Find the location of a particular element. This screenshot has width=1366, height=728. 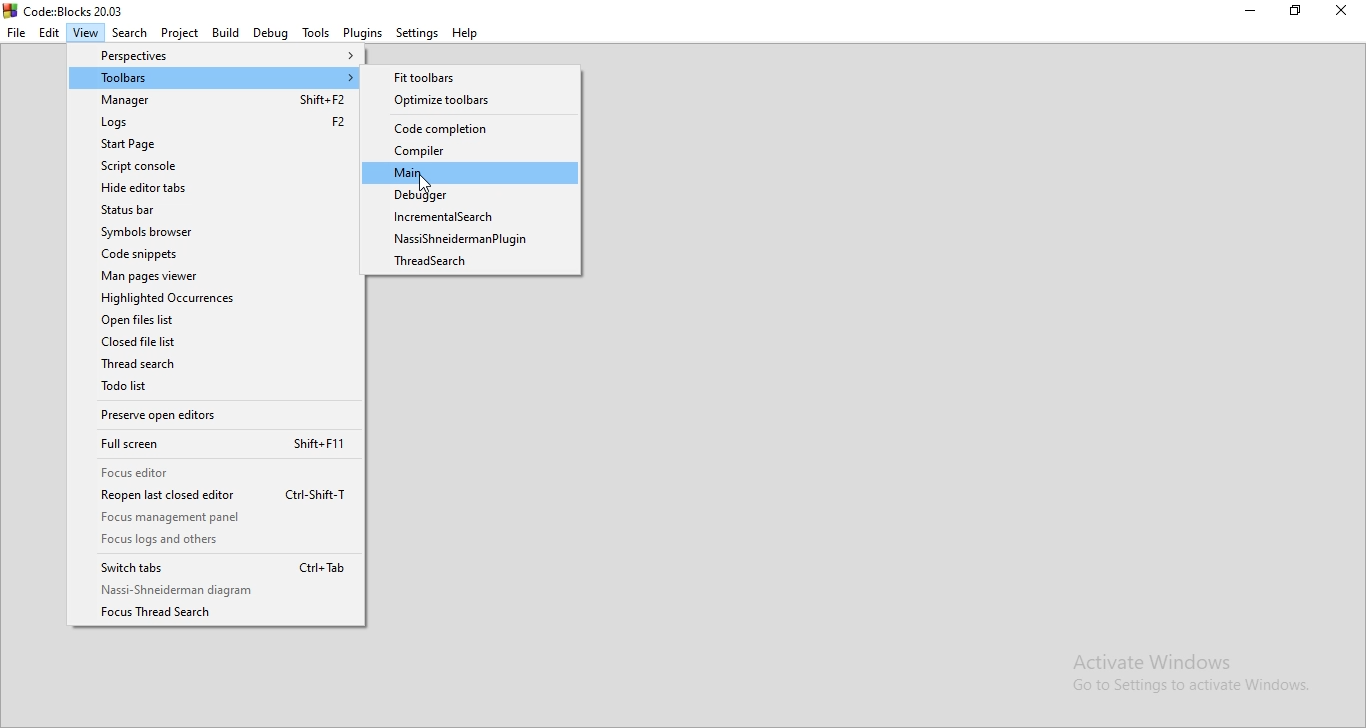

Script console is located at coordinates (215, 167).